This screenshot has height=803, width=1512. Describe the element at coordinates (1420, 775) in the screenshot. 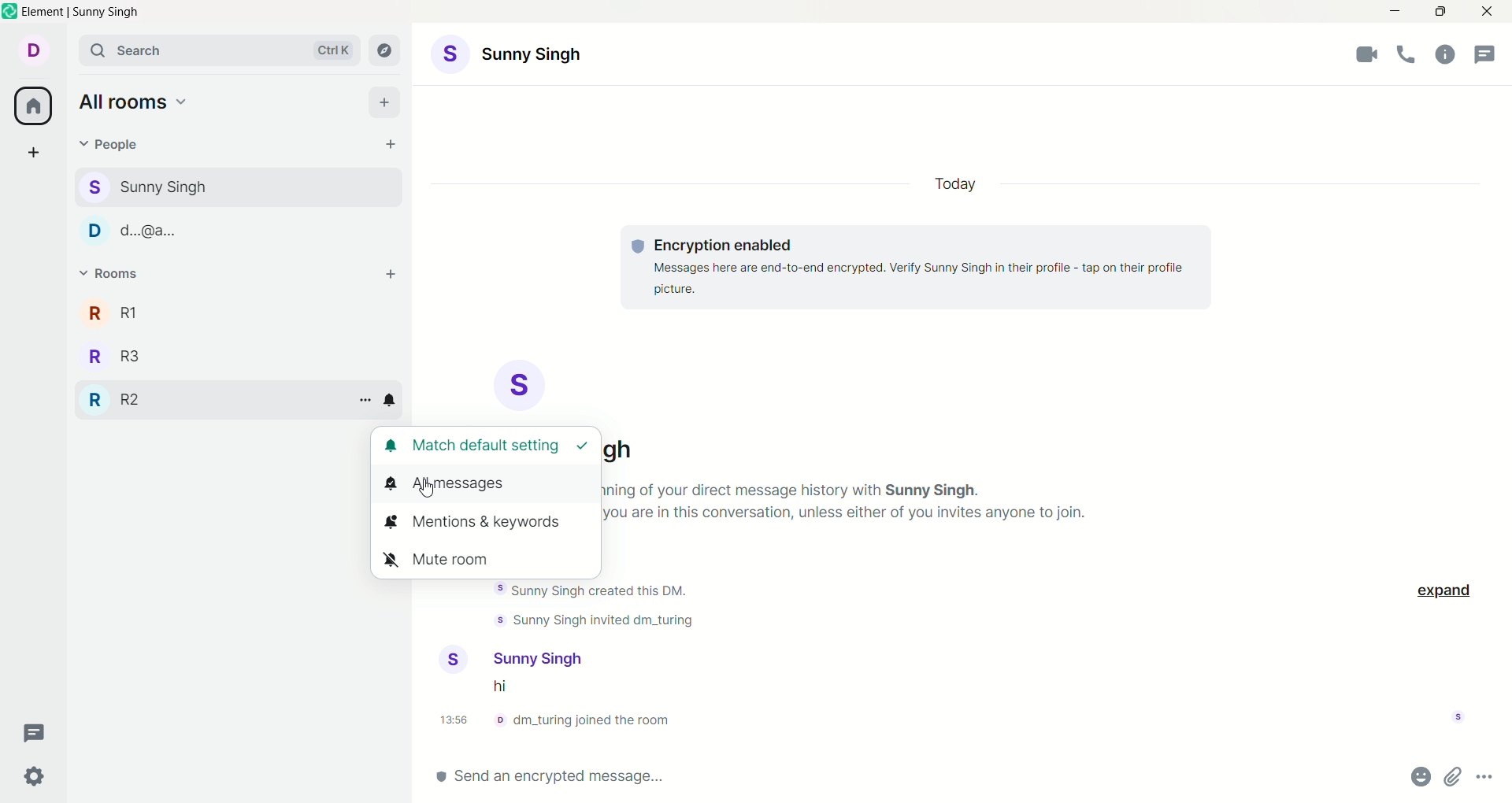

I see `emoji` at that location.